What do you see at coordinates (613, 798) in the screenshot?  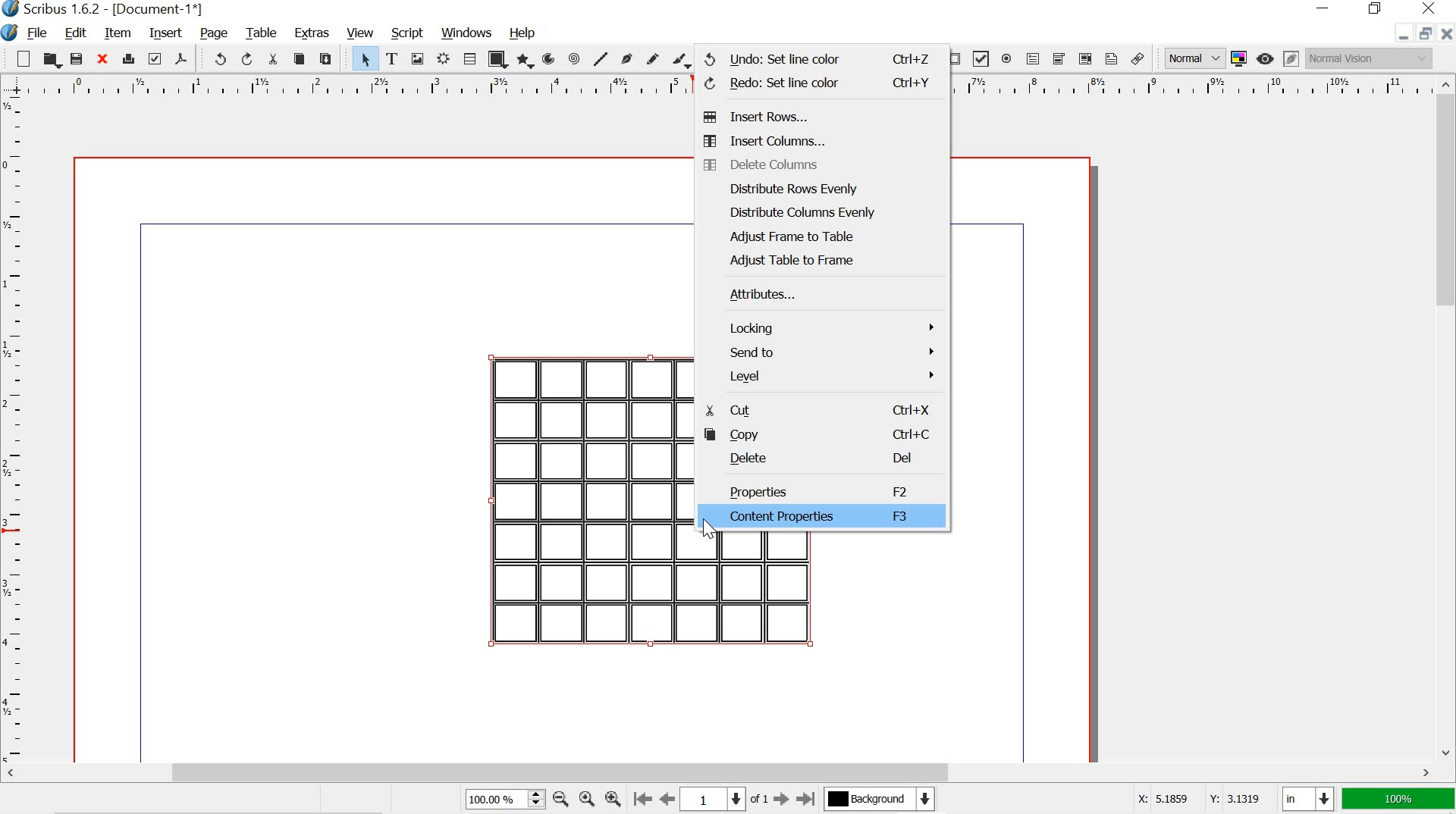 I see `zoom in` at bounding box center [613, 798].